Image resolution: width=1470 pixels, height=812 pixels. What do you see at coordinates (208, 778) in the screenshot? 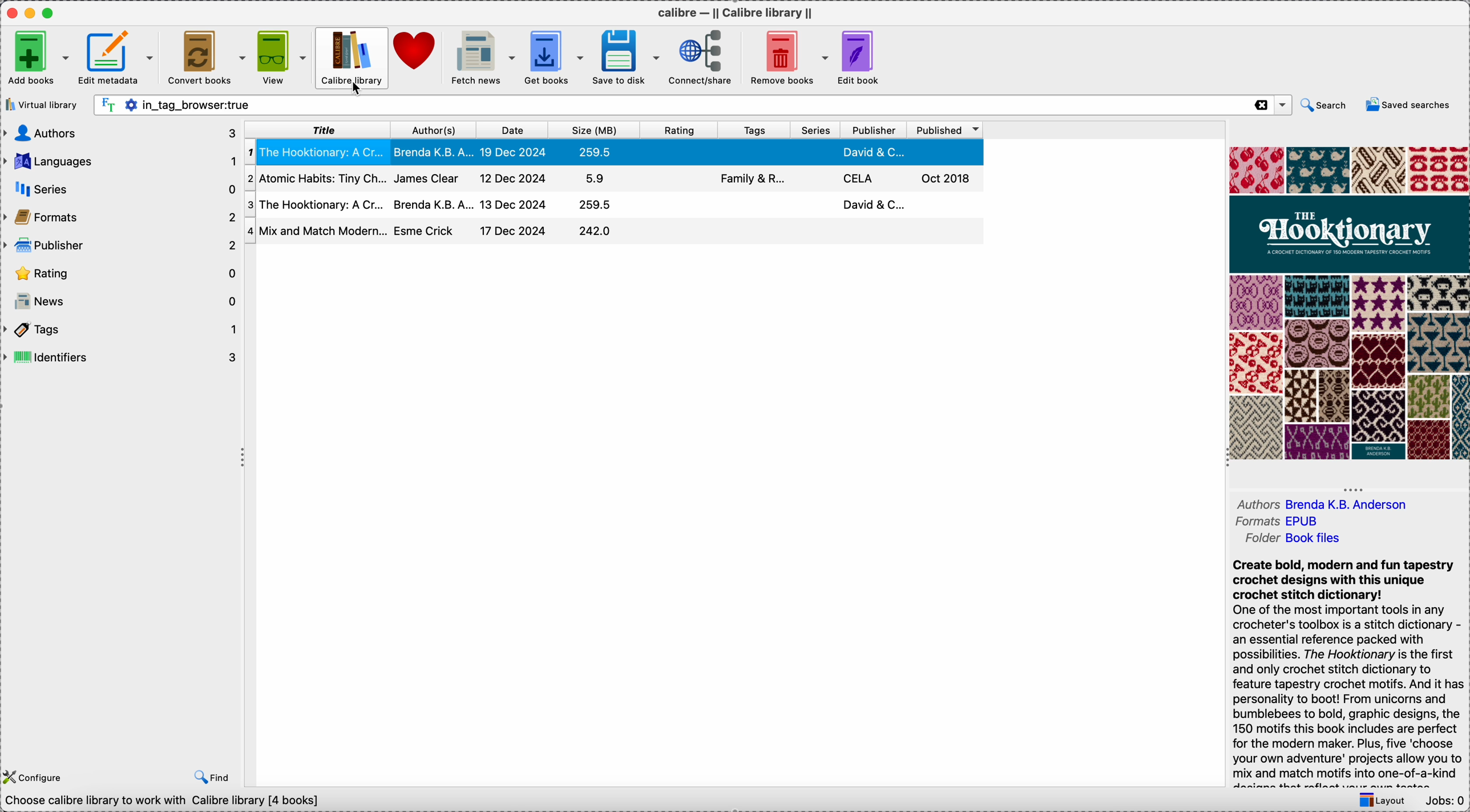
I see `find` at bounding box center [208, 778].